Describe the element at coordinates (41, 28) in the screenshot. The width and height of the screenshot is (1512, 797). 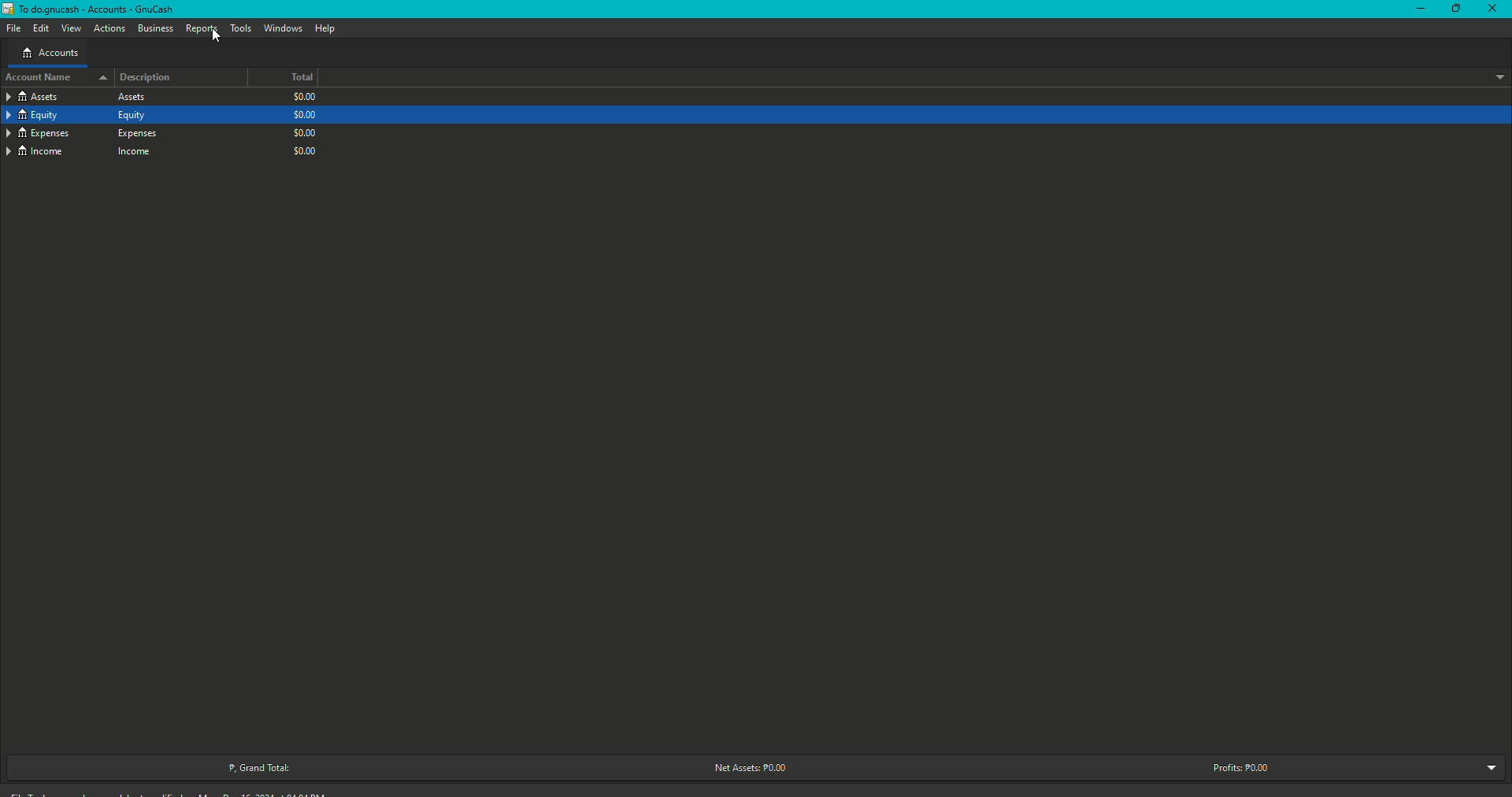
I see `Edit` at that location.